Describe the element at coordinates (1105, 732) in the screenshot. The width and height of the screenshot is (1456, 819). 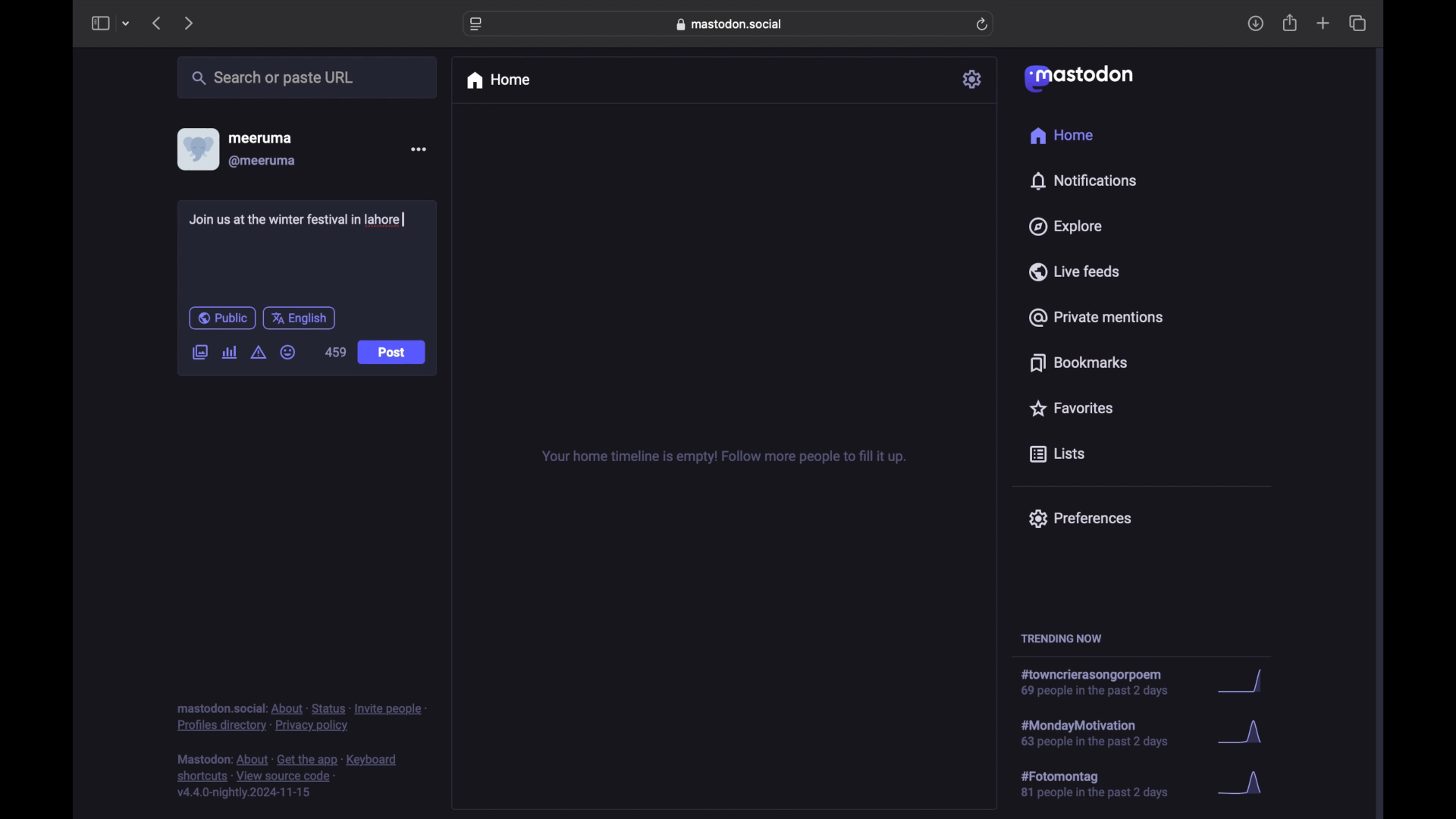
I see `hashtag trend` at that location.